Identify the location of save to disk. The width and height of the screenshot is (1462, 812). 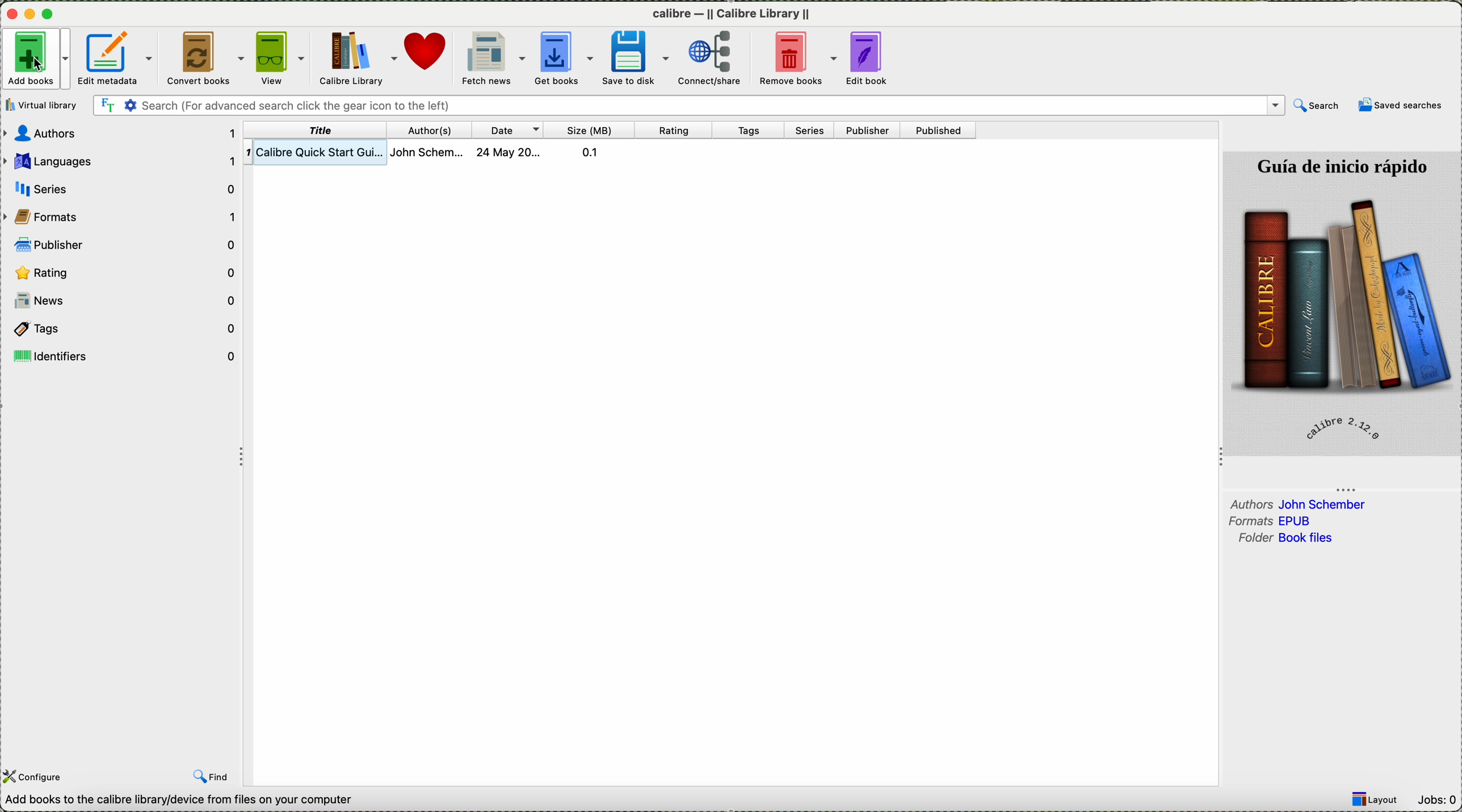
(633, 58).